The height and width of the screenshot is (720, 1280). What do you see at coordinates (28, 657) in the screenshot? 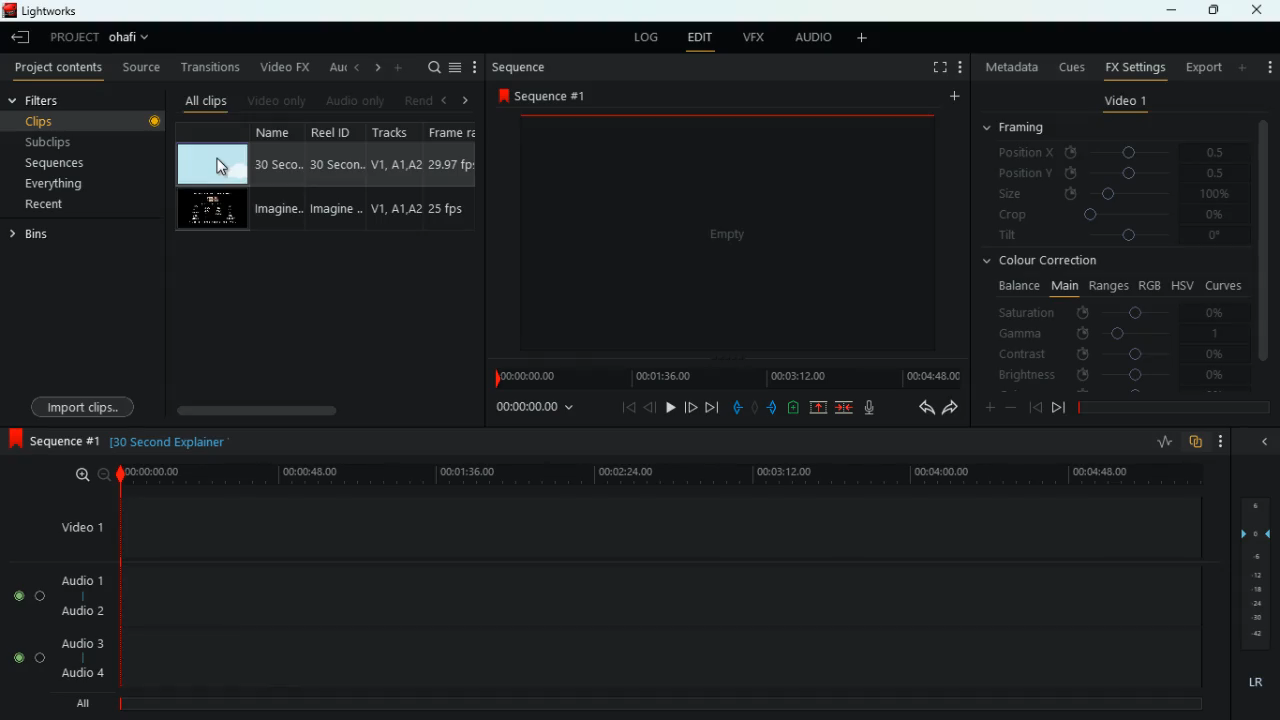
I see `Audio` at bounding box center [28, 657].